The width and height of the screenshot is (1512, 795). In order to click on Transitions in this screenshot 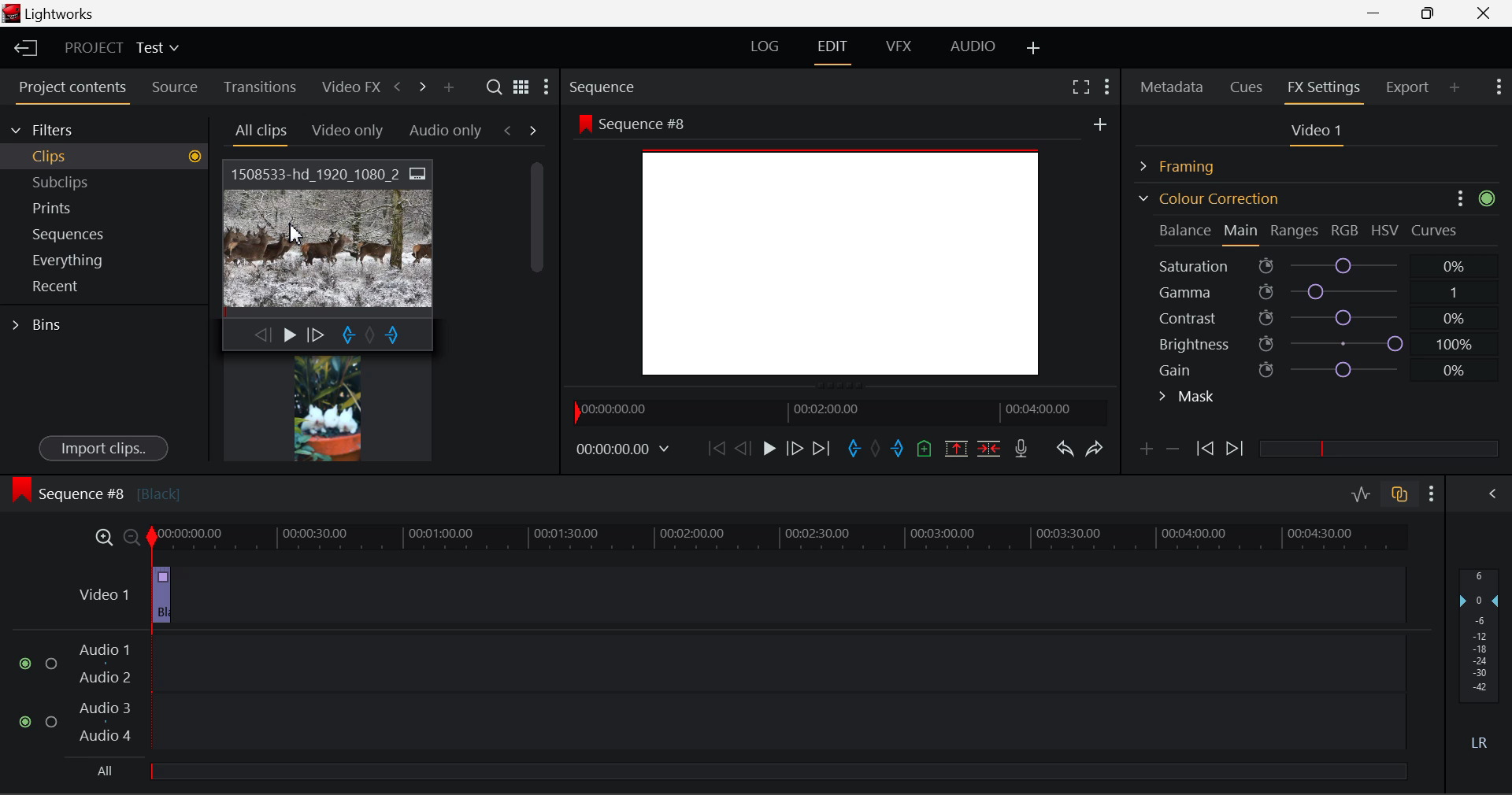, I will do `click(260, 87)`.